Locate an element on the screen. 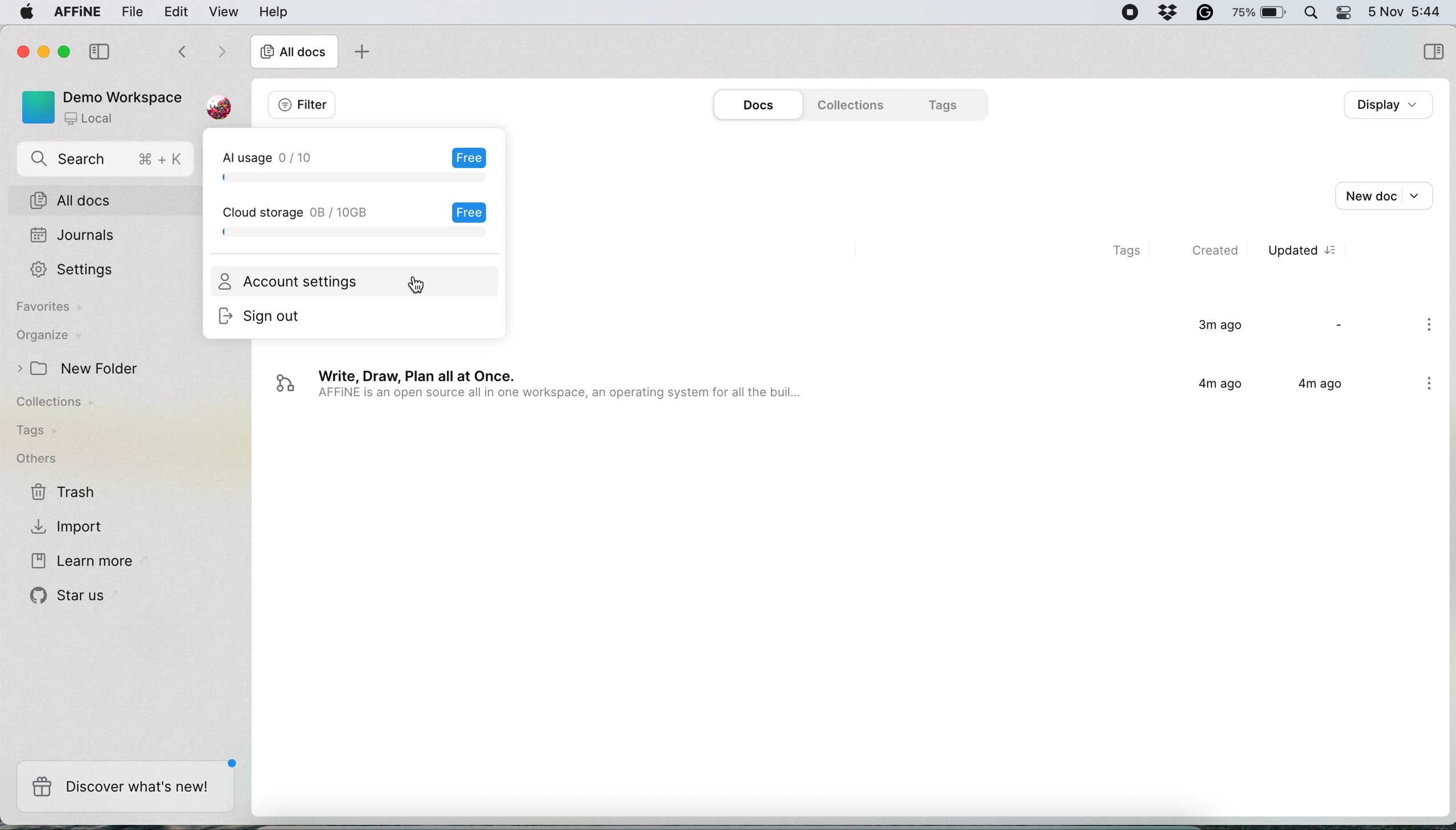 Image resolution: width=1456 pixels, height=830 pixels. display is located at coordinates (1393, 105).